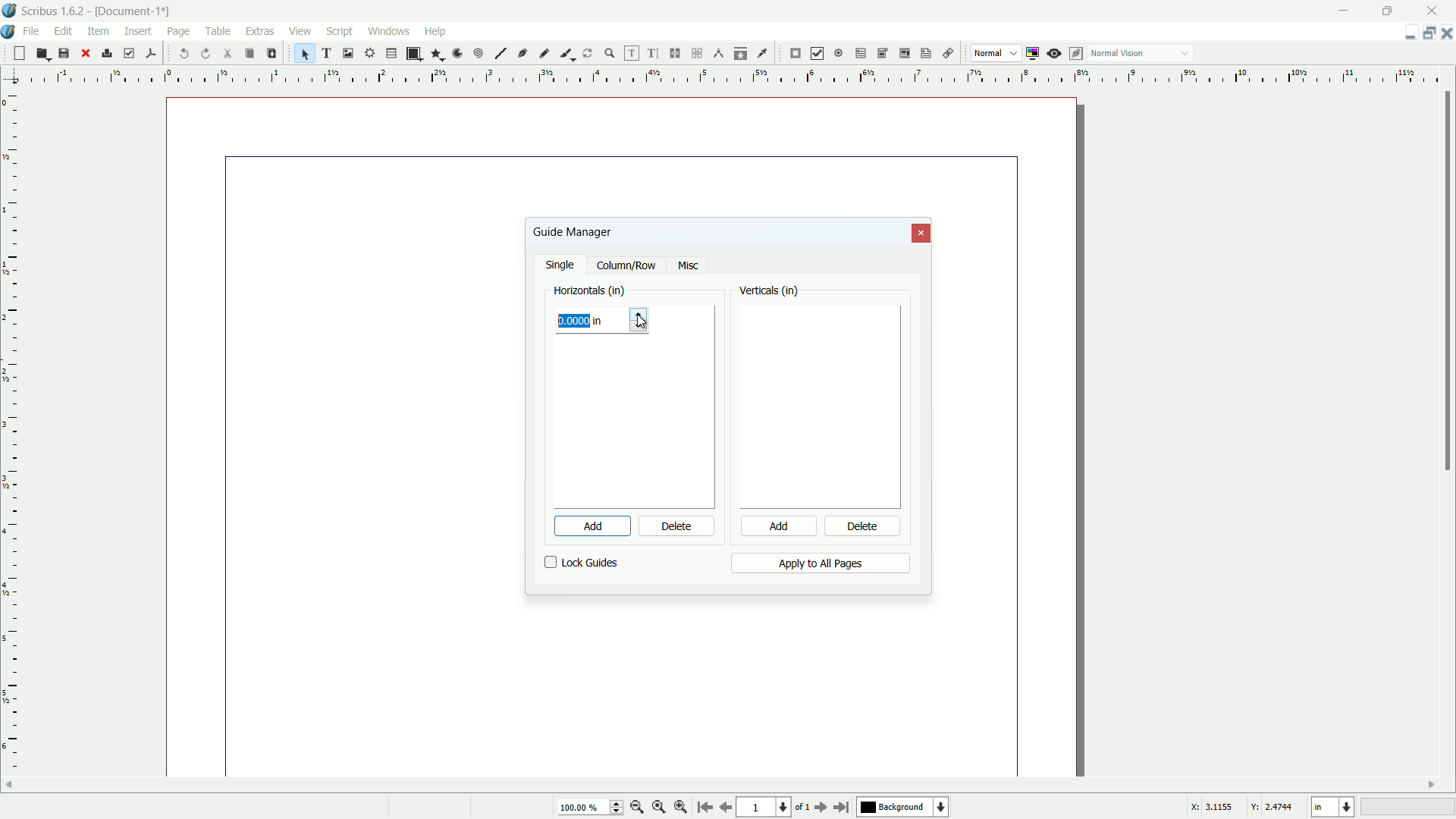 The image size is (1456, 819). Describe the element at coordinates (688, 266) in the screenshot. I see `misc` at that location.